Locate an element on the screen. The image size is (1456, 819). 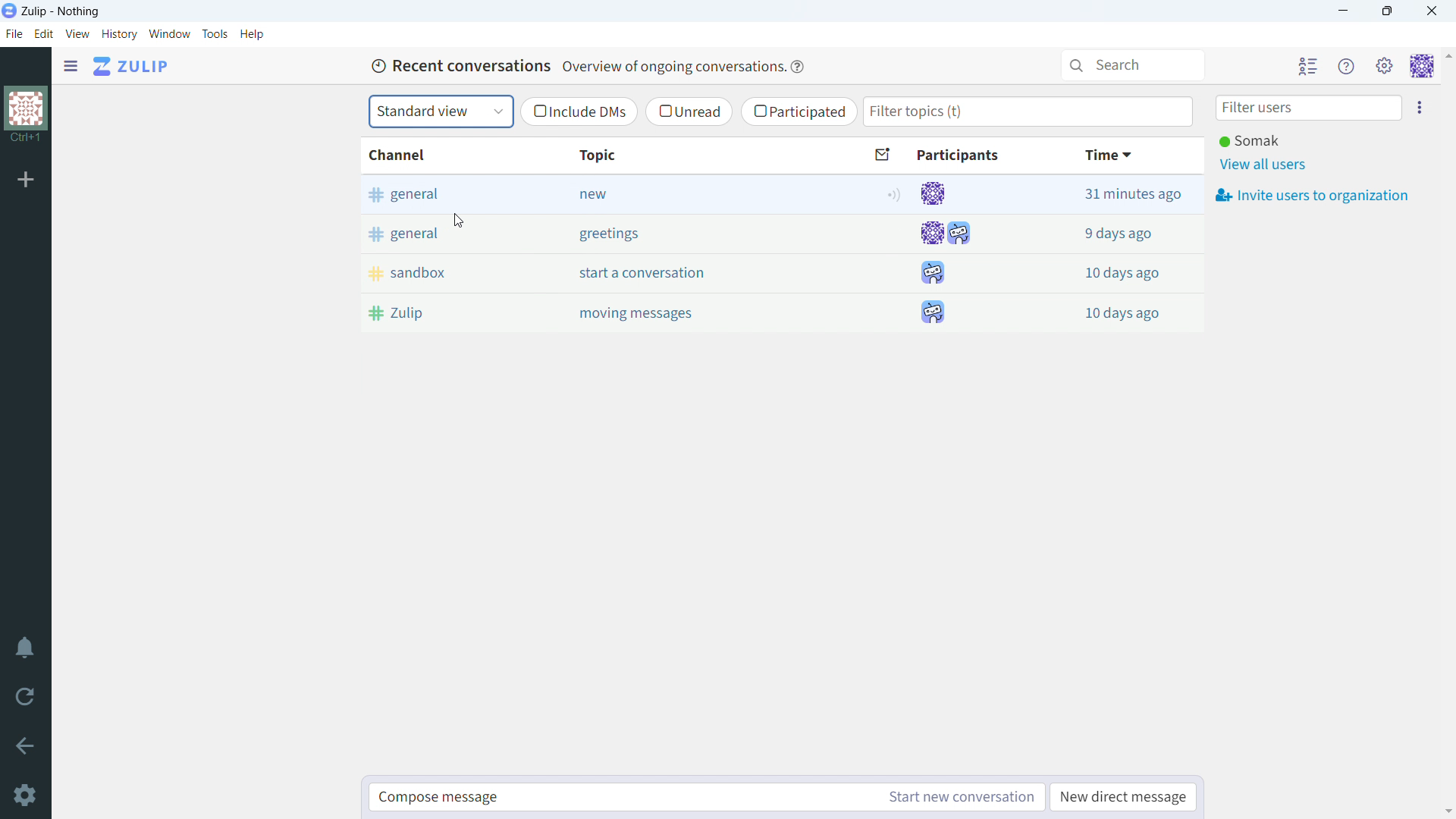
main menu is located at coordinates (1385, 65).